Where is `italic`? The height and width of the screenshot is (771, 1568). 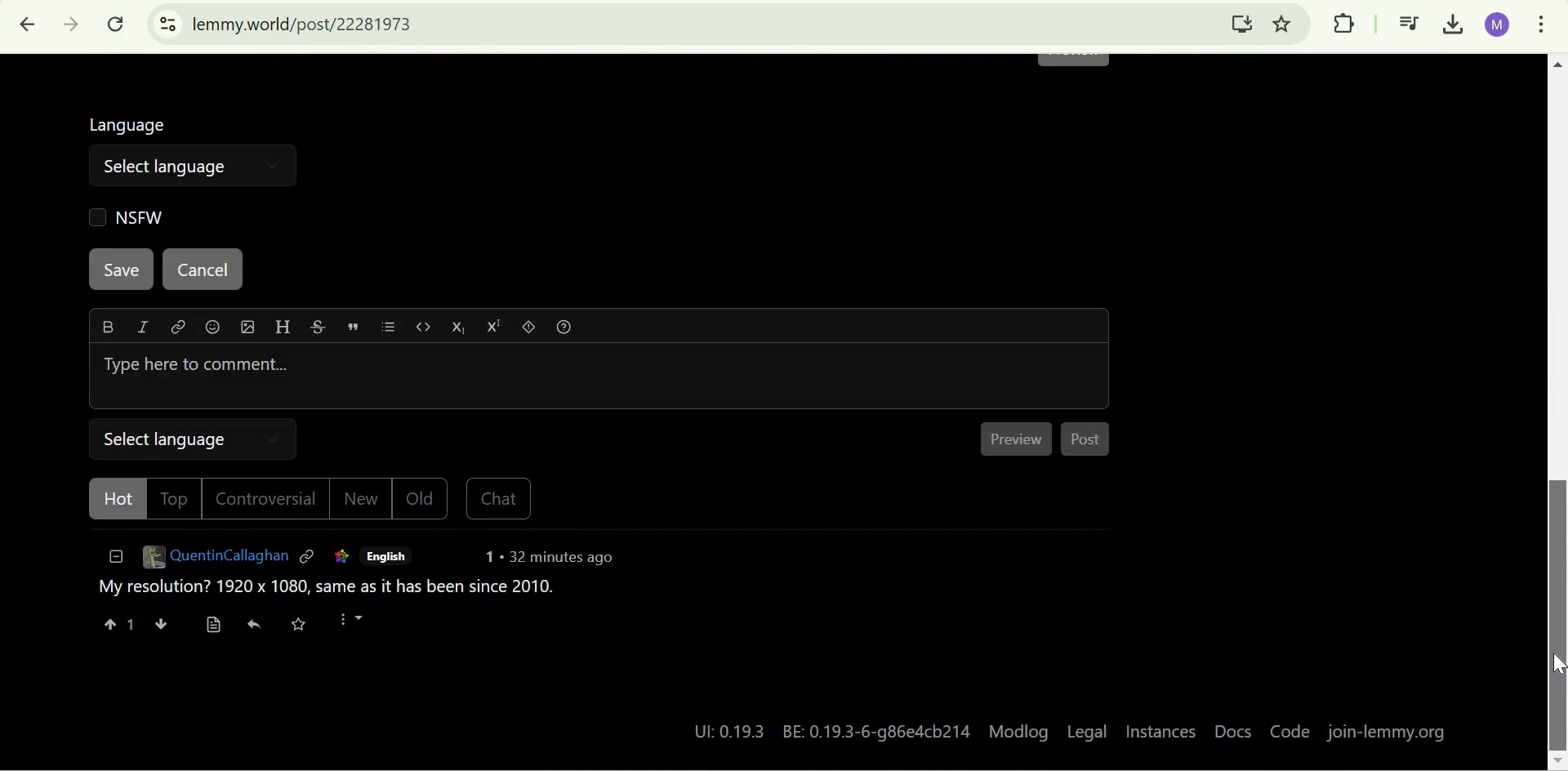 italic is located at coordinates (140, 330).